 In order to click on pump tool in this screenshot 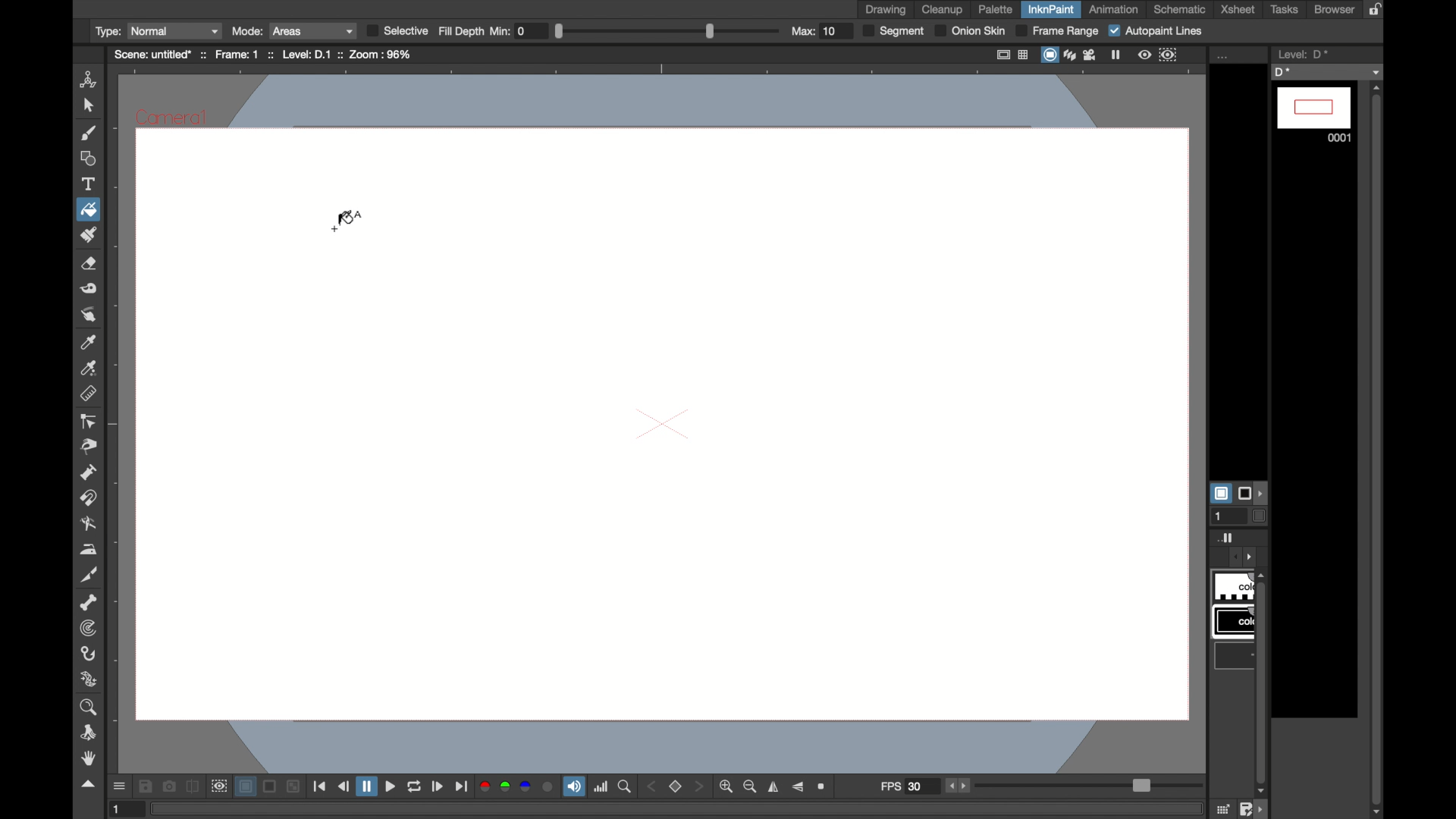, I will do `click(87, 472)`.